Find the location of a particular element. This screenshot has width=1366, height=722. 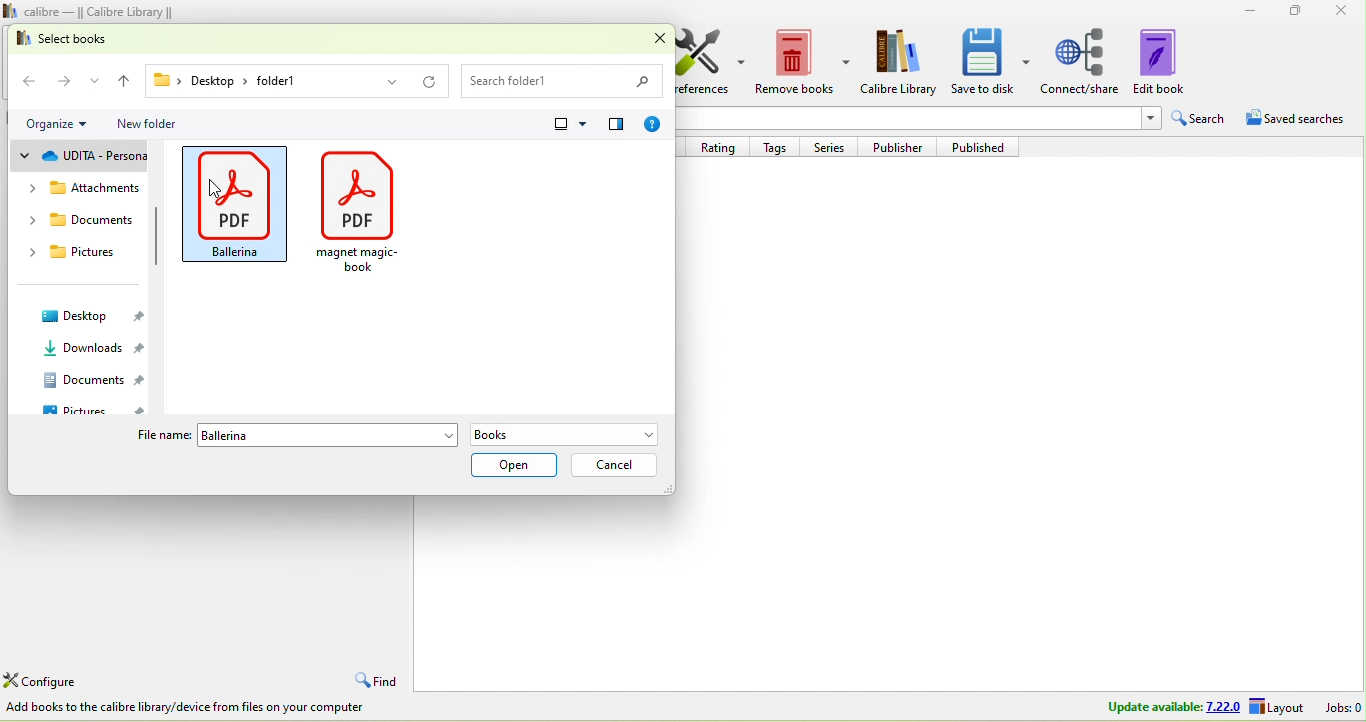

Drop-down  is located at coordinates (1149, 119).